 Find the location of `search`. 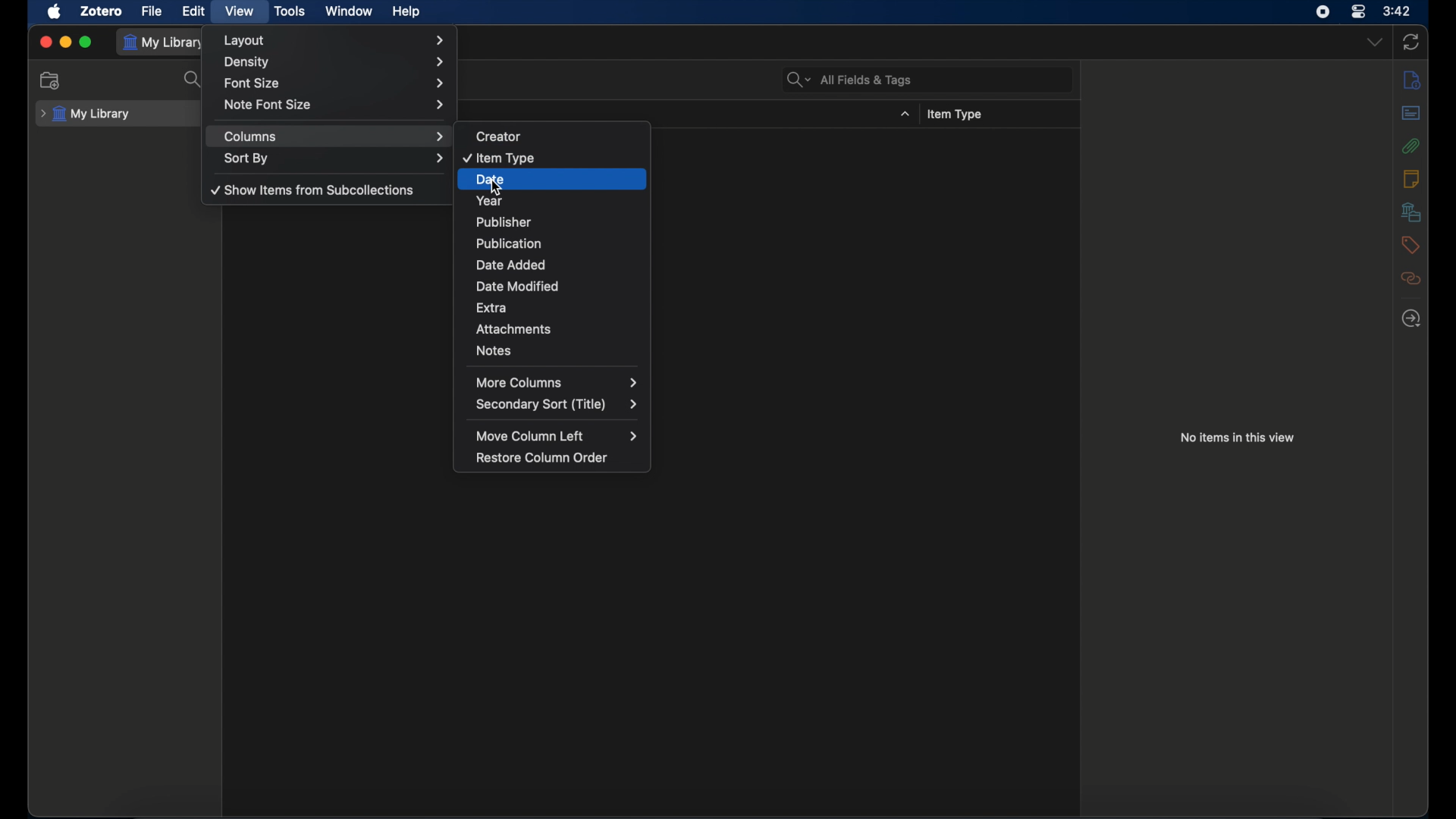

search is located at coordinates (194, 80).